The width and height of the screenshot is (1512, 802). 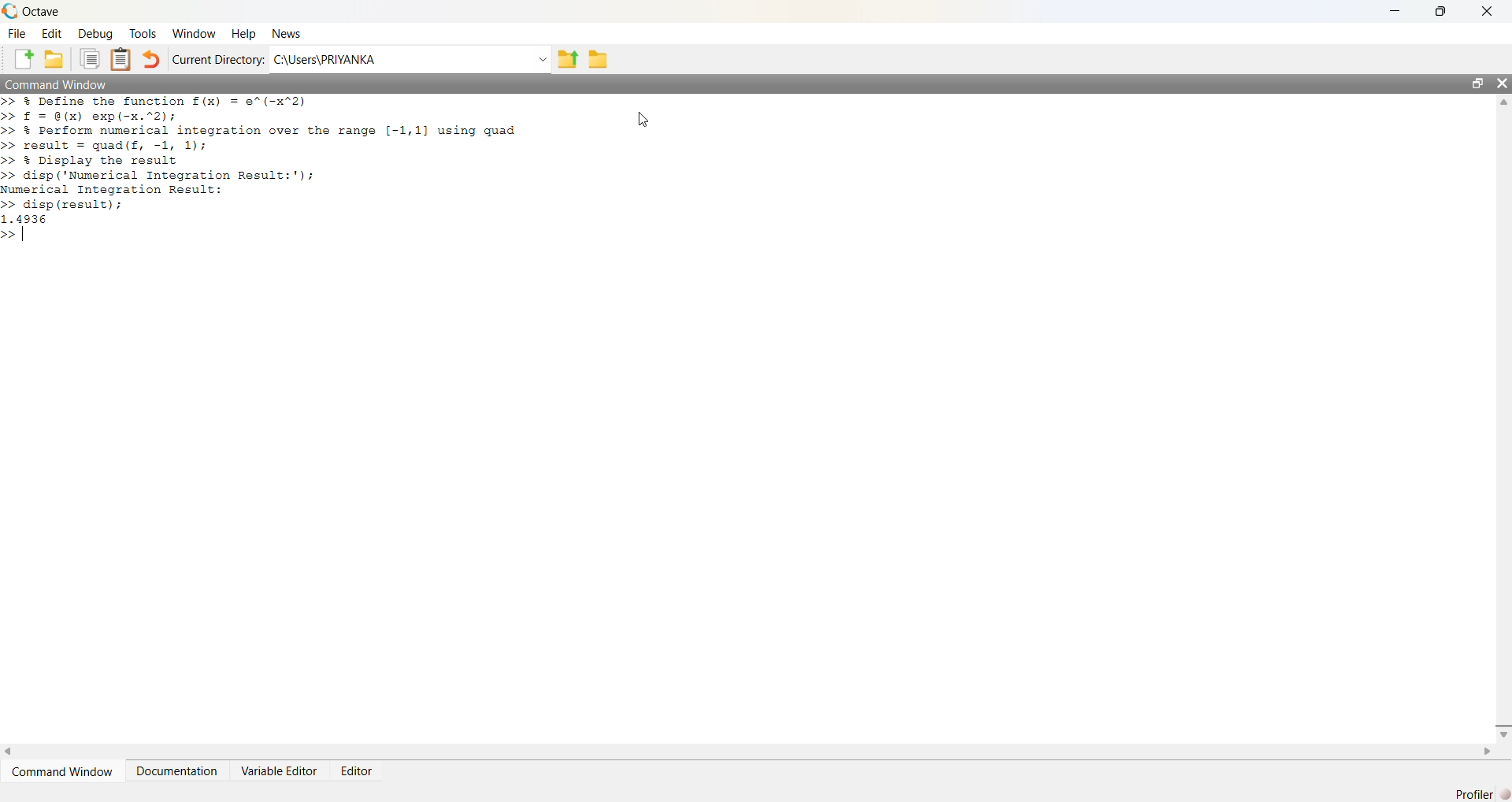 What do you see at coordinates (62, 771) in the screenshot?
I see `Command Window` at bounding box center [62, 771].